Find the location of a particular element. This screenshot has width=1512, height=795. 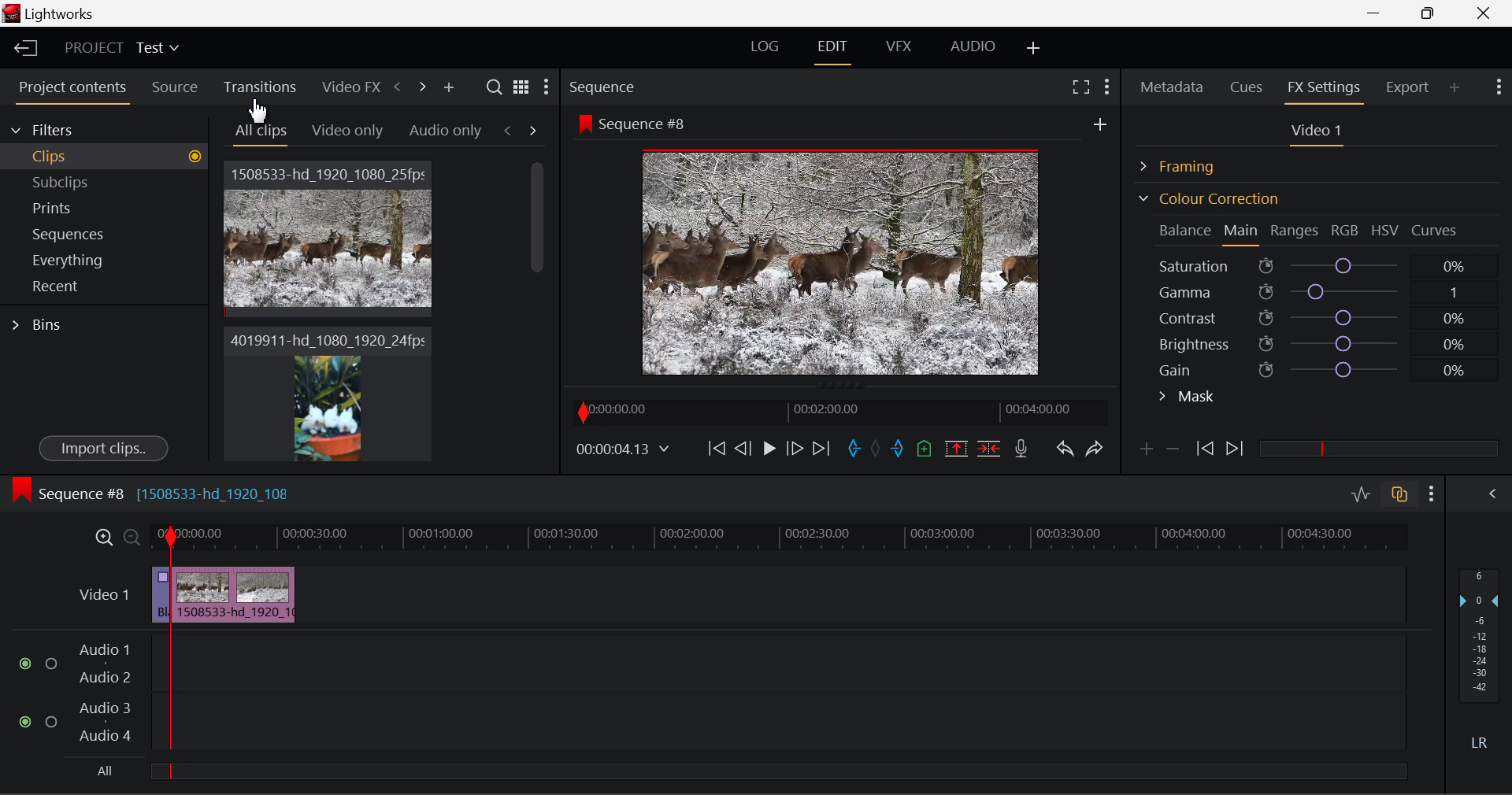

This week Tab is located at coordinates (444, 131).